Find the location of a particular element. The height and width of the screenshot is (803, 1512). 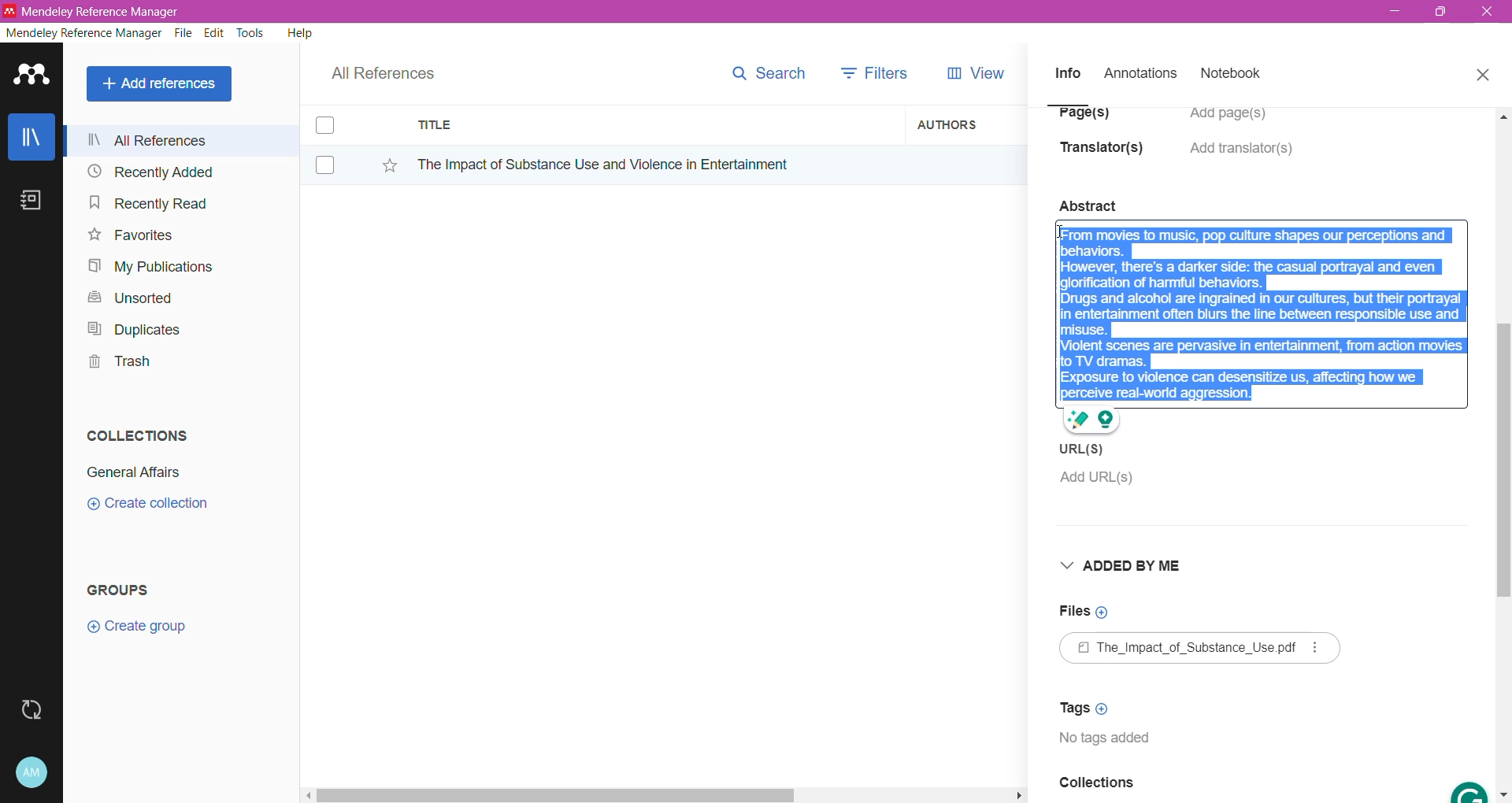

Click to Add Files is located at coordinates (1083, 612).